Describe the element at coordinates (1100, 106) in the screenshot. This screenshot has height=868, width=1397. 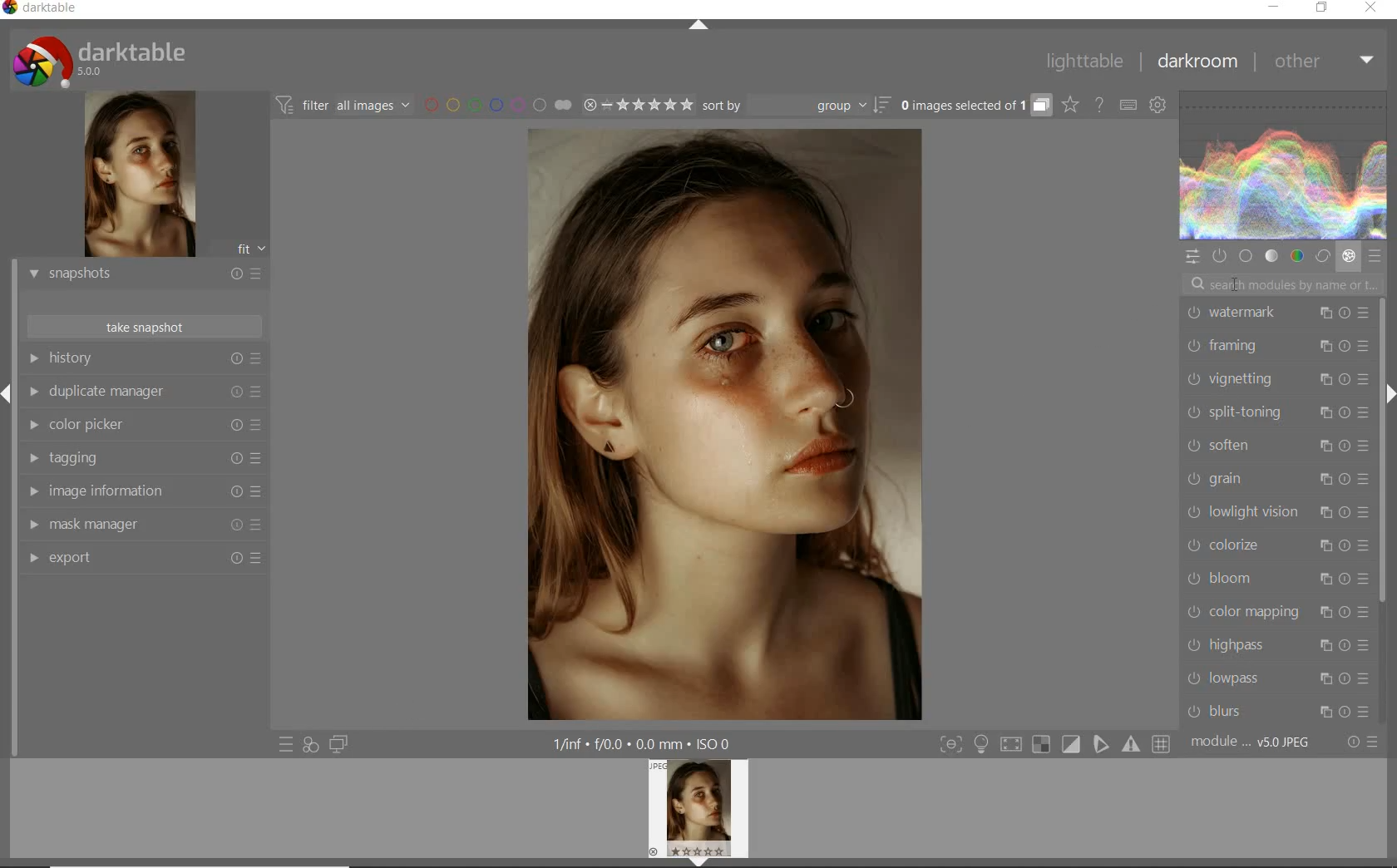
I see `enable online help` at that location.